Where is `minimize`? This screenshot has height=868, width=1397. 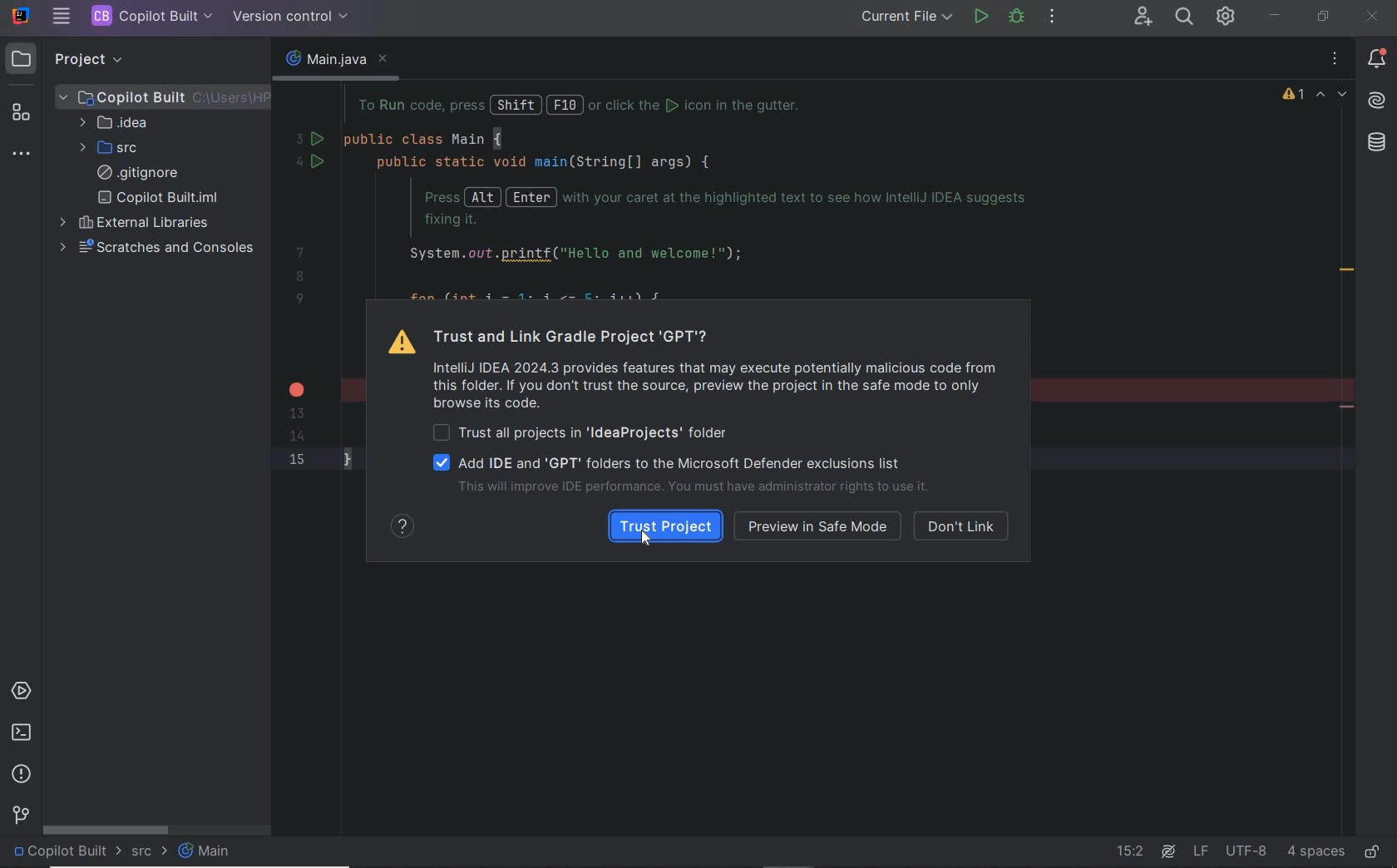
minimize is located at coordinates (1276, 16).